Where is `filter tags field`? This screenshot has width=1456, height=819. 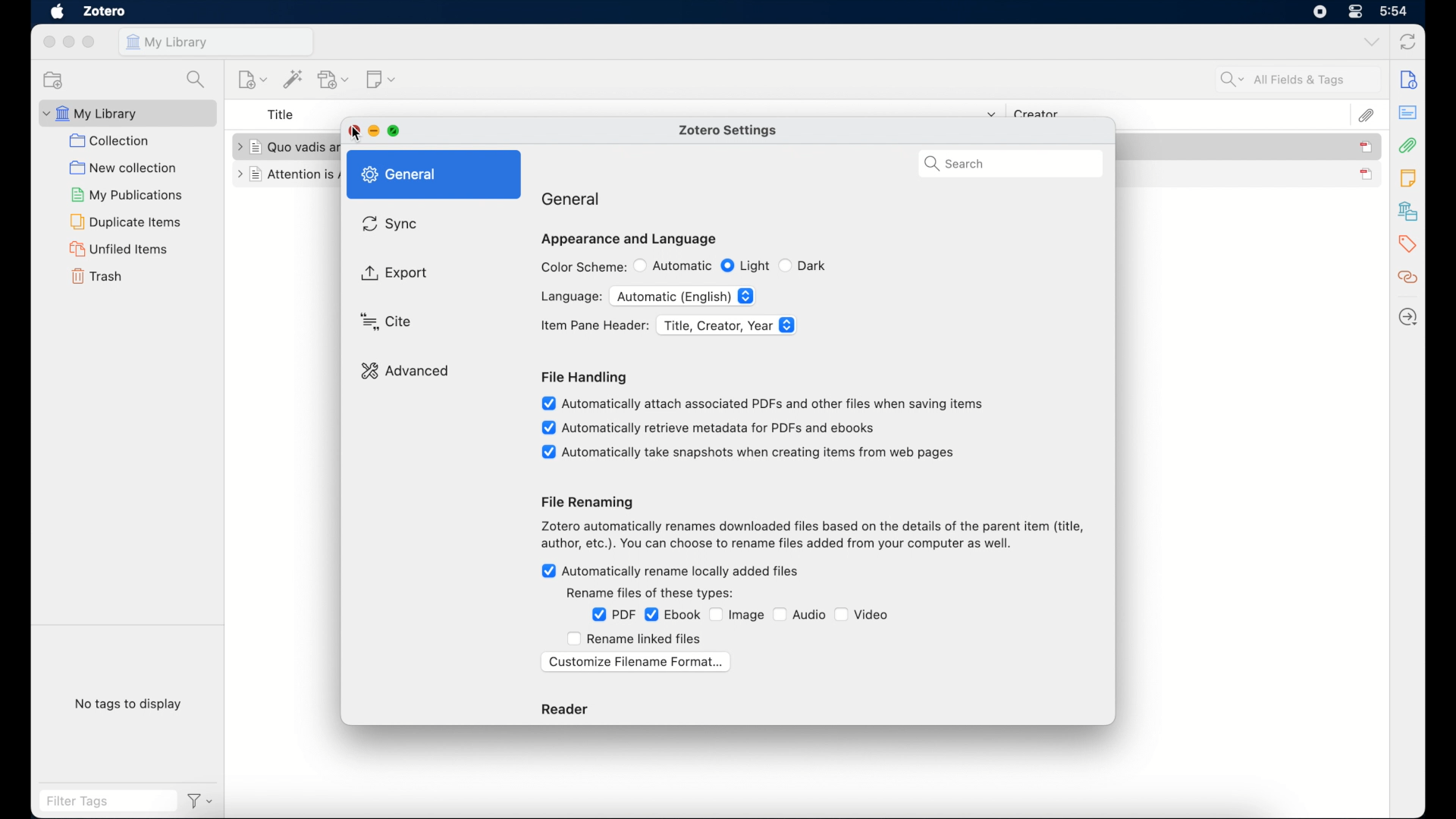
filter tags field is located at coordinates (108, 801).